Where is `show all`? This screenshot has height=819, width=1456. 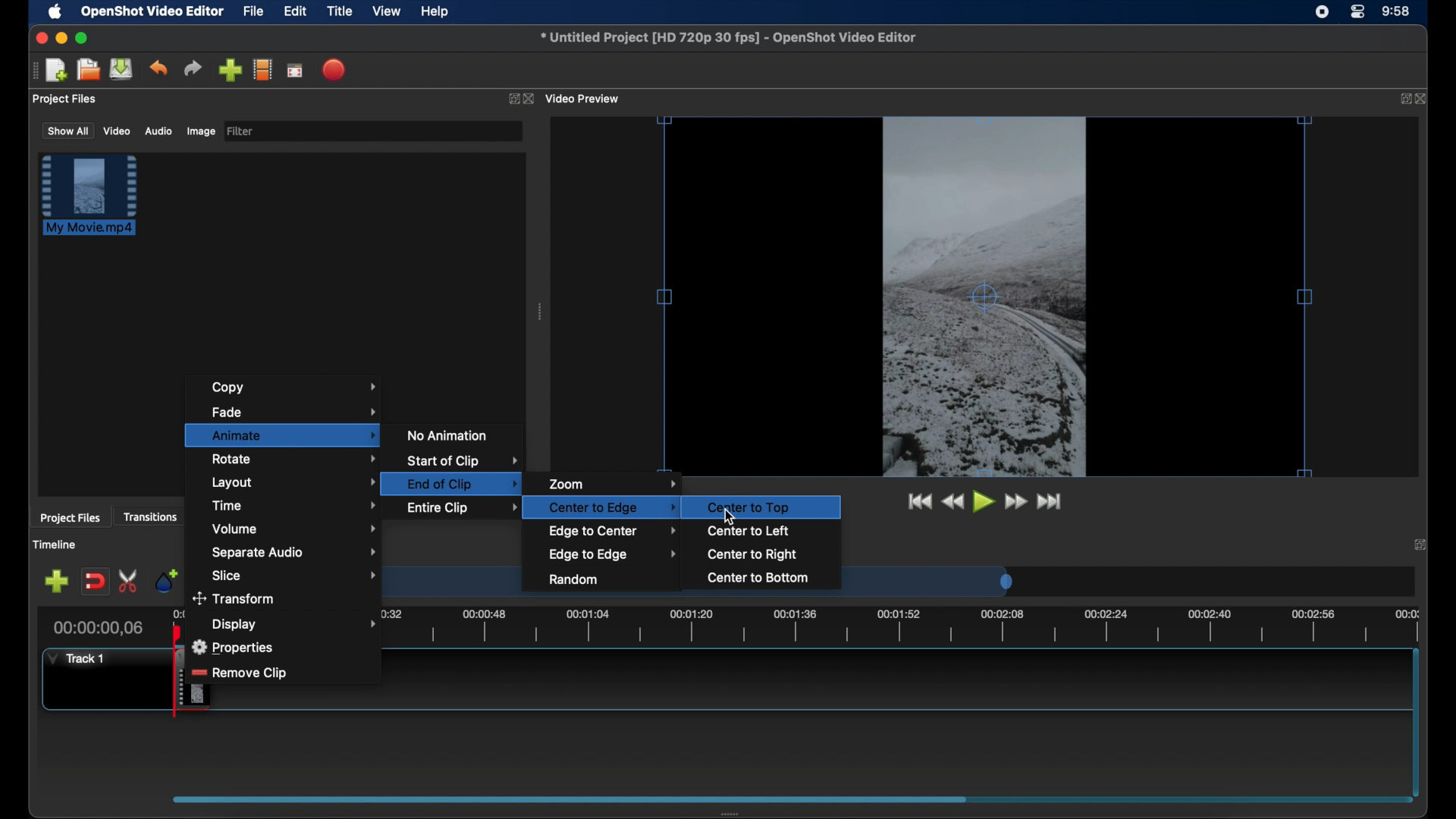 show all is located at coordinates (67, 130).